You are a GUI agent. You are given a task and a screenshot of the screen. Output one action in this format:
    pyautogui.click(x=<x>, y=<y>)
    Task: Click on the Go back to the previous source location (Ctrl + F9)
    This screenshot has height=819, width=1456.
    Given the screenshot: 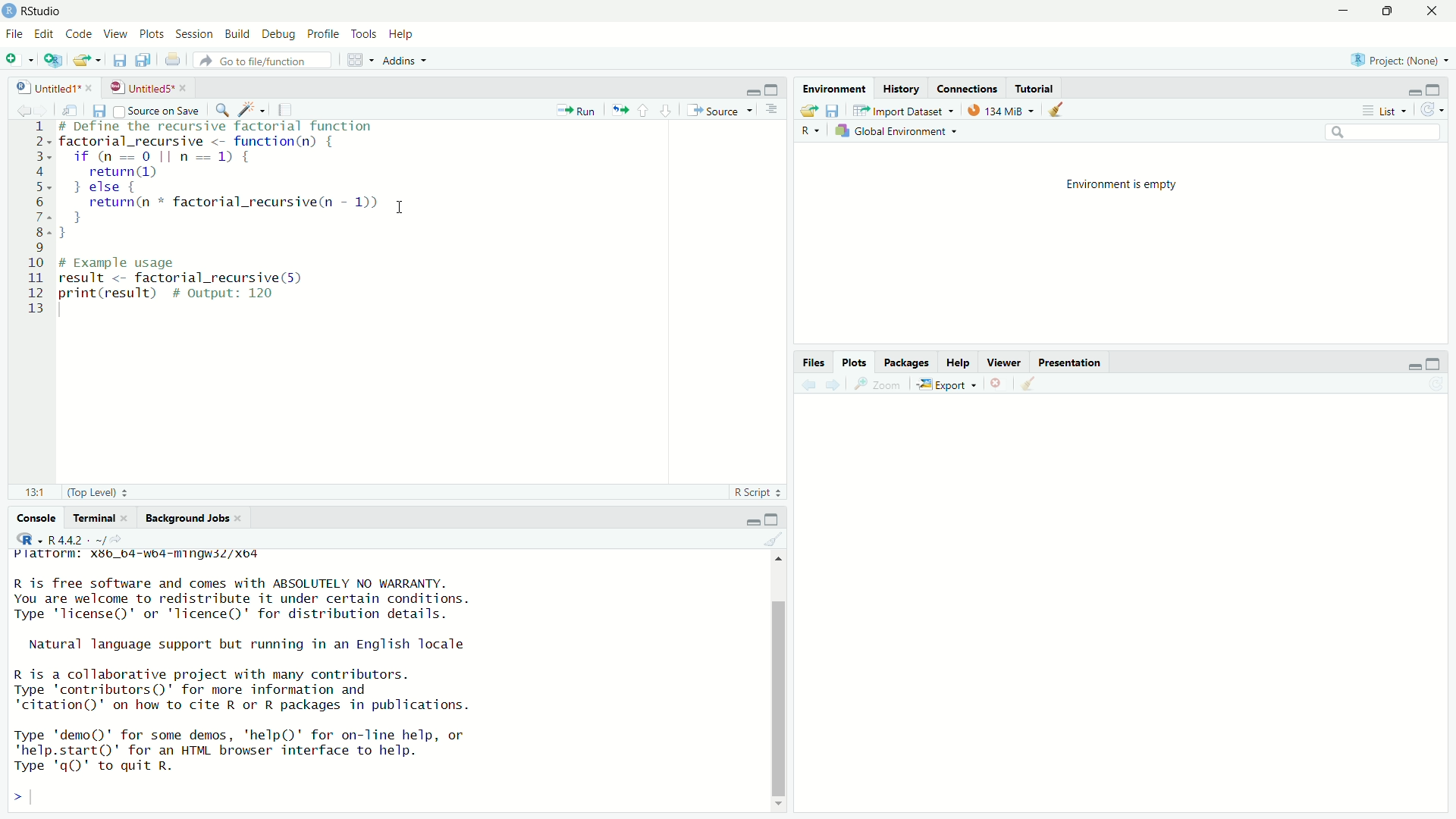 What is the action you would take?
    pyautogui.click(x=807, y=383)
    